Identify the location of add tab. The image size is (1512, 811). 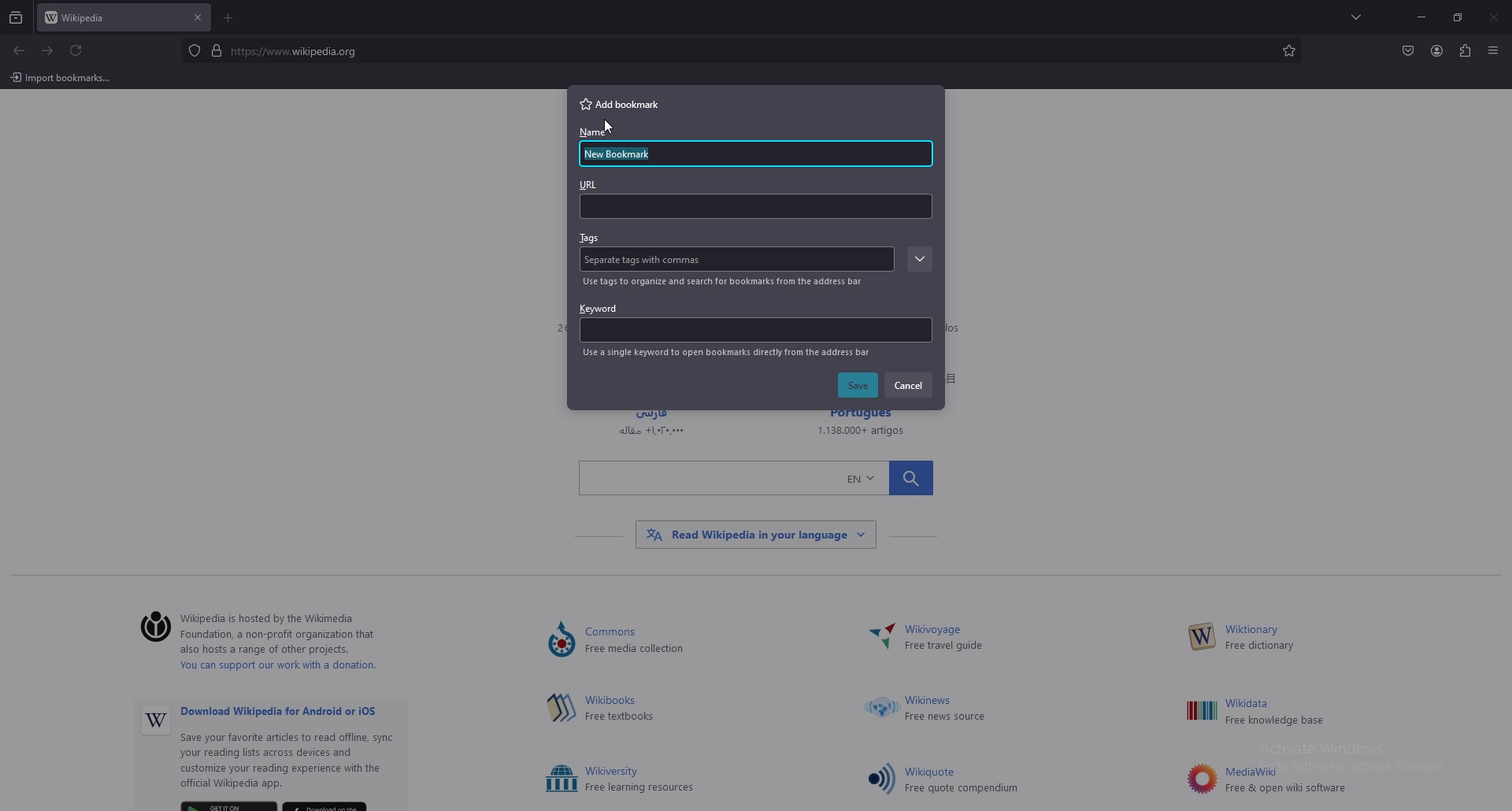
(230, 18).